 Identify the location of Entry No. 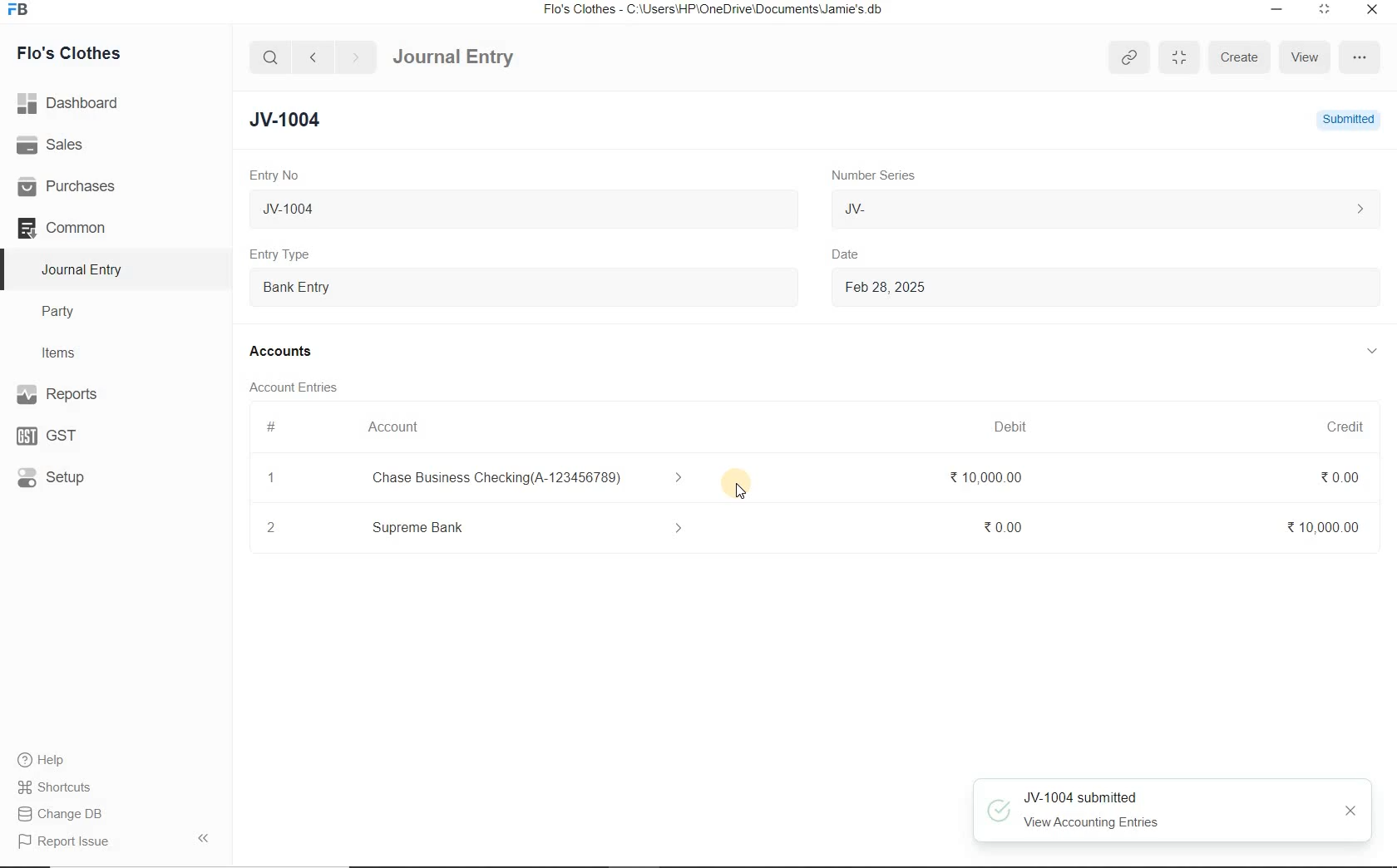
(277, 175).